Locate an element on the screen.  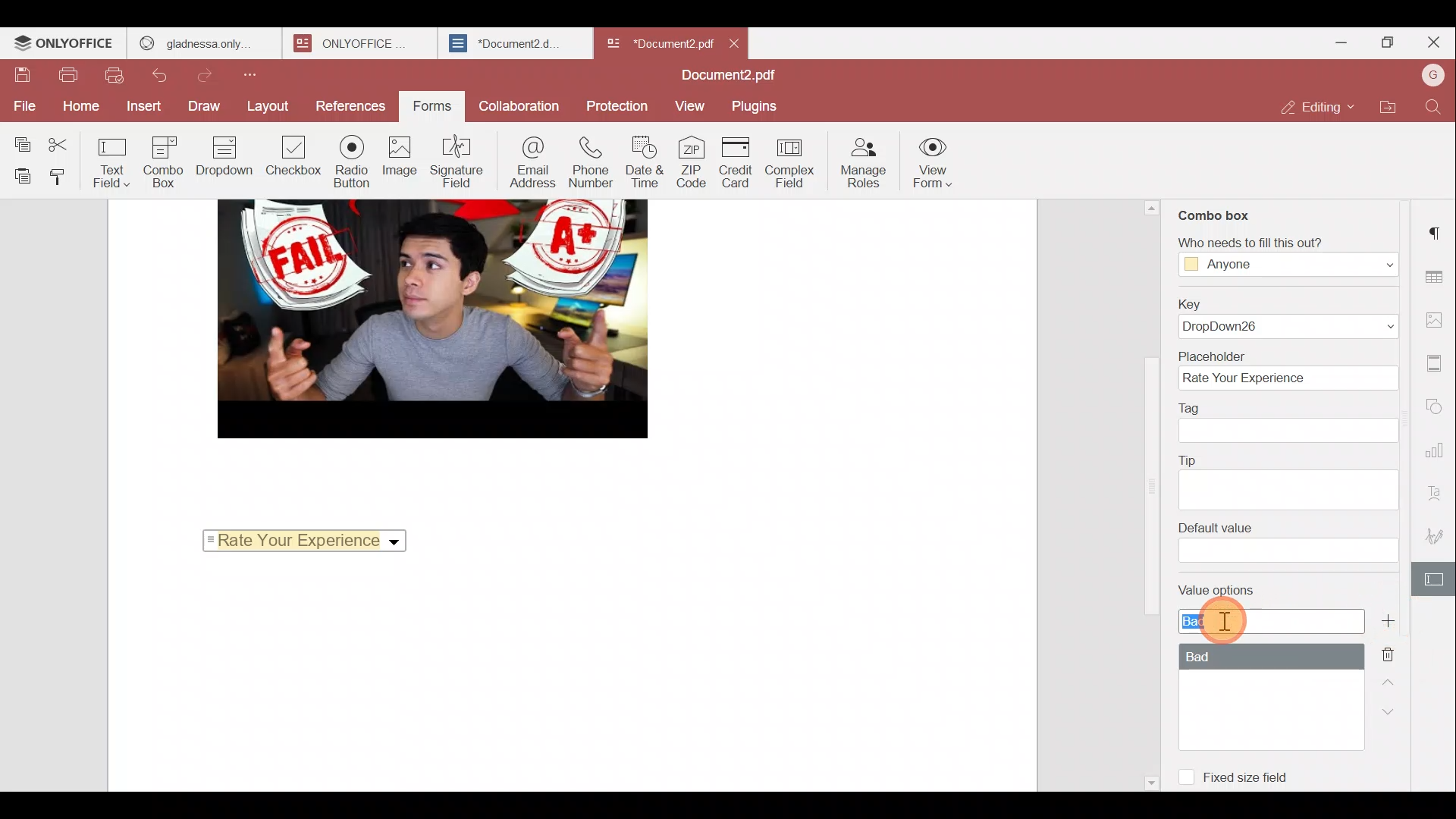
Redo is located at coordinates (212, 76).